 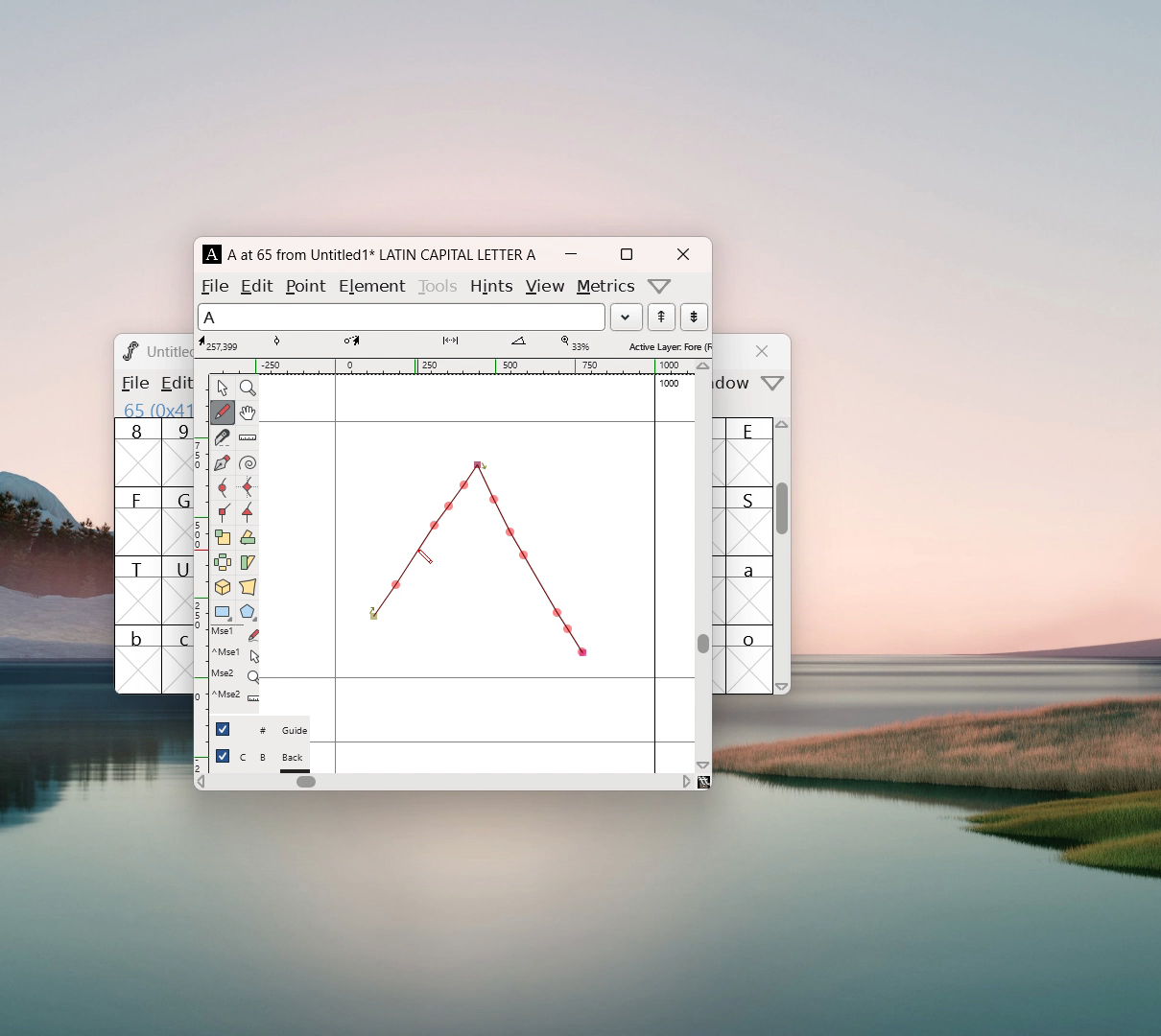 What do you see at coordinates (178, 590) in the screenshot?
I see `U` at bounding box center [178, 590].